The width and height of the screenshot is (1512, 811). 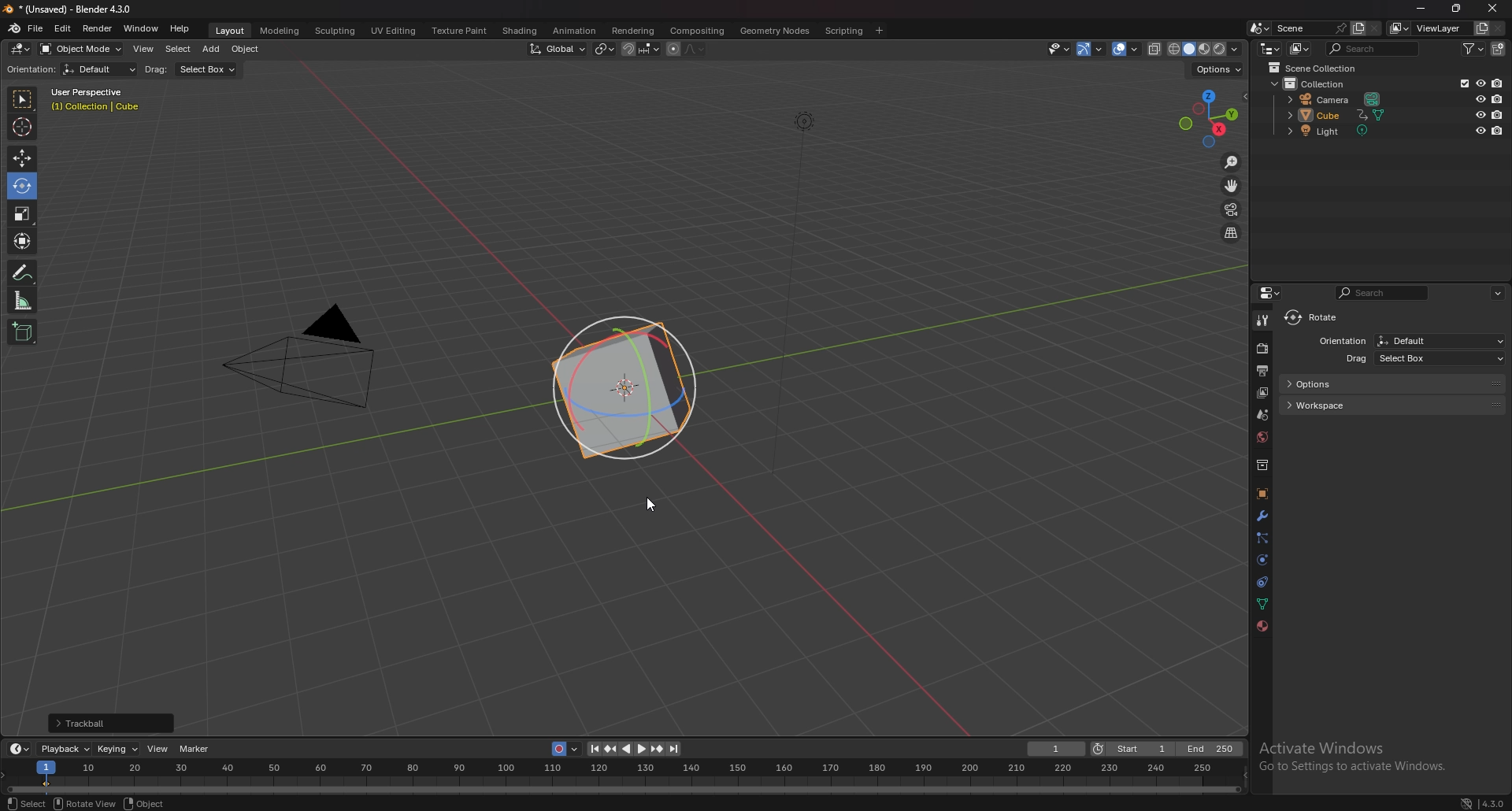 What do you see at coordinates (1273, 292) in the screenshot?
I see `editor type` at bounding box center [1273, 292].